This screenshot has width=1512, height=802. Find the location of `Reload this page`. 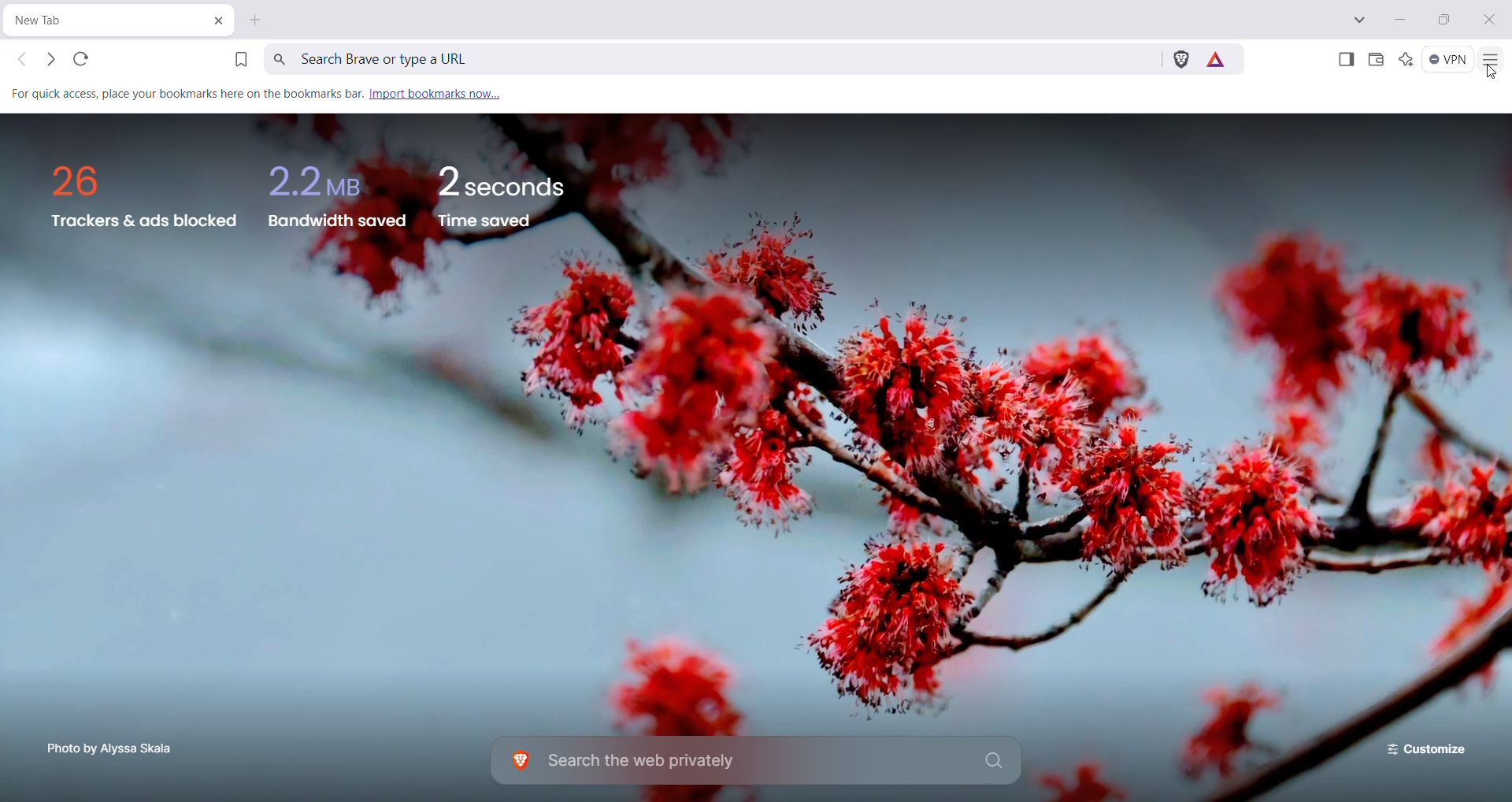

Reload this page is located at coordinates (83, 60).